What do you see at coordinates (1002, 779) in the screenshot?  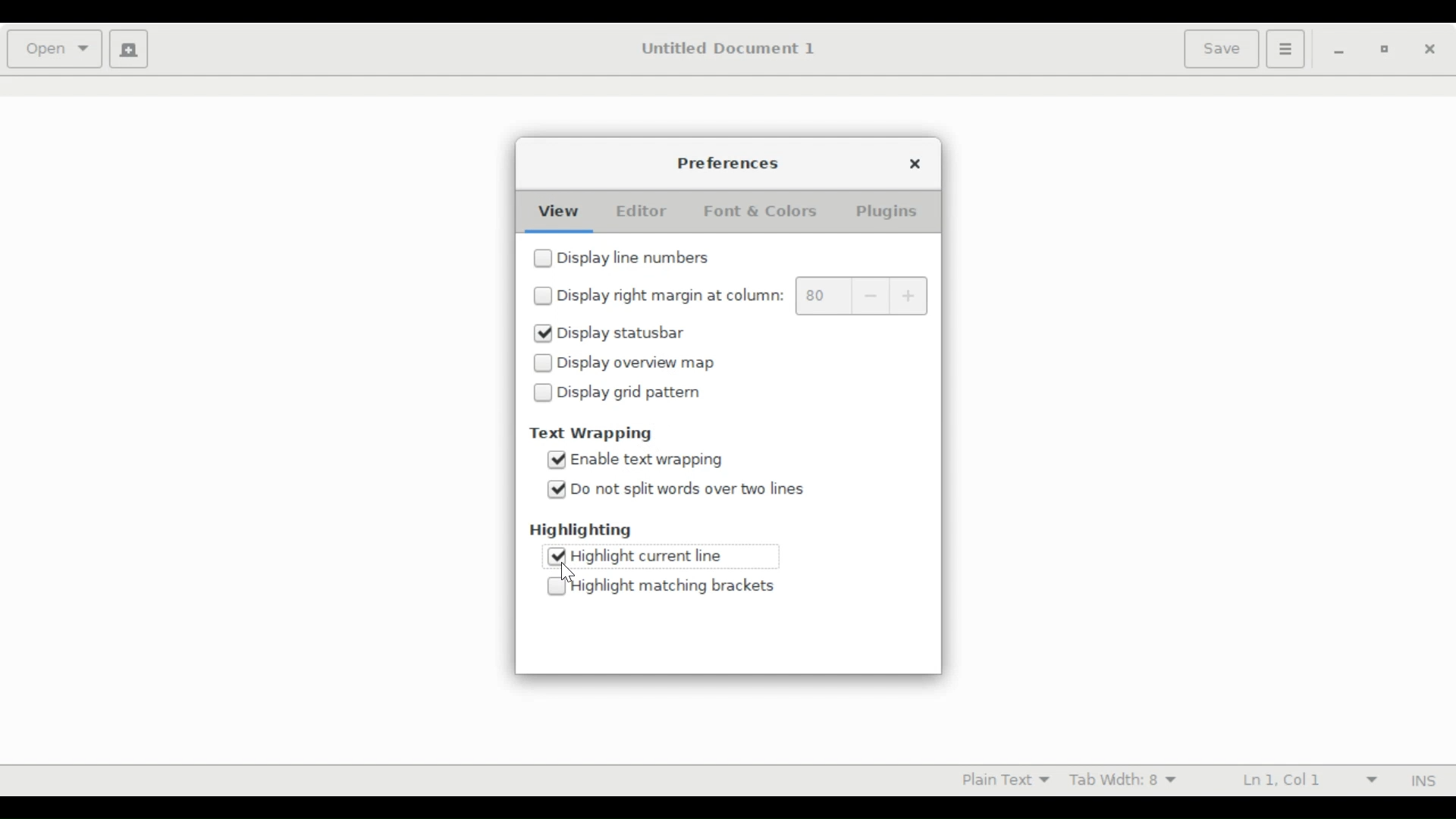 I see `Highlight mode` at bounding box center [1002, 779].